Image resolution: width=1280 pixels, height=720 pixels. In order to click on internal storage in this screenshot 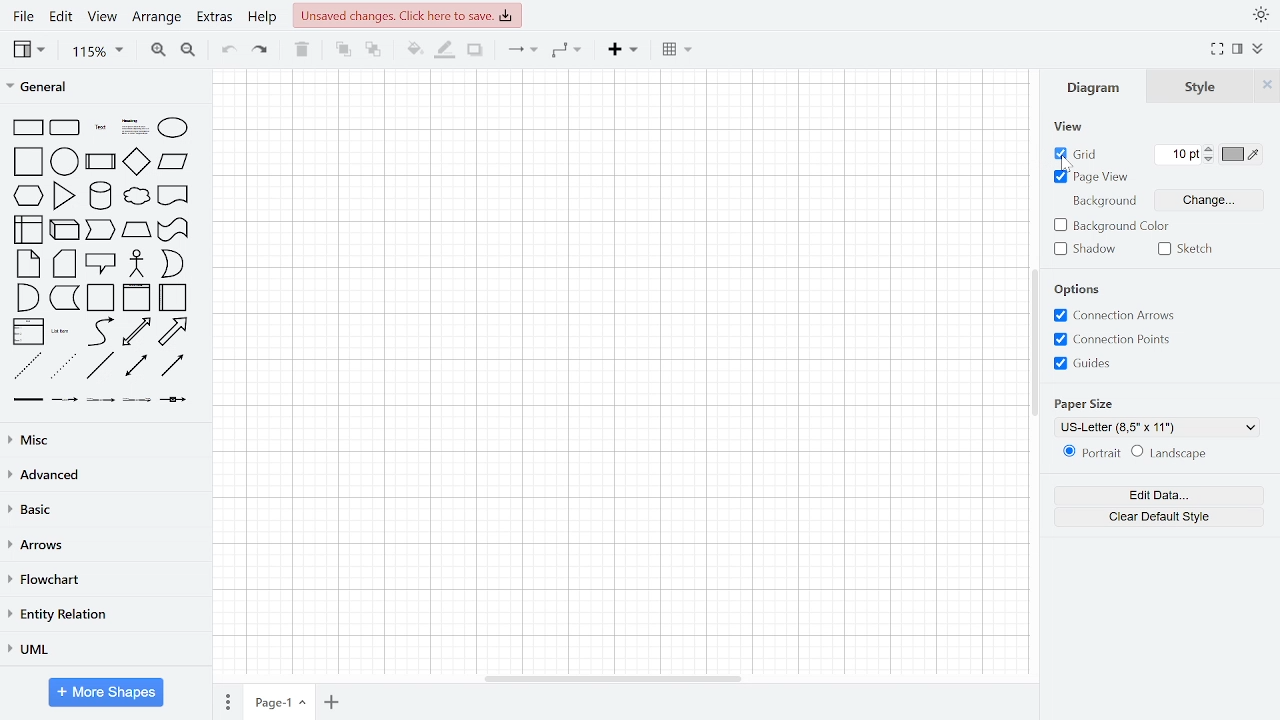, I will do `click(30, 231)`.